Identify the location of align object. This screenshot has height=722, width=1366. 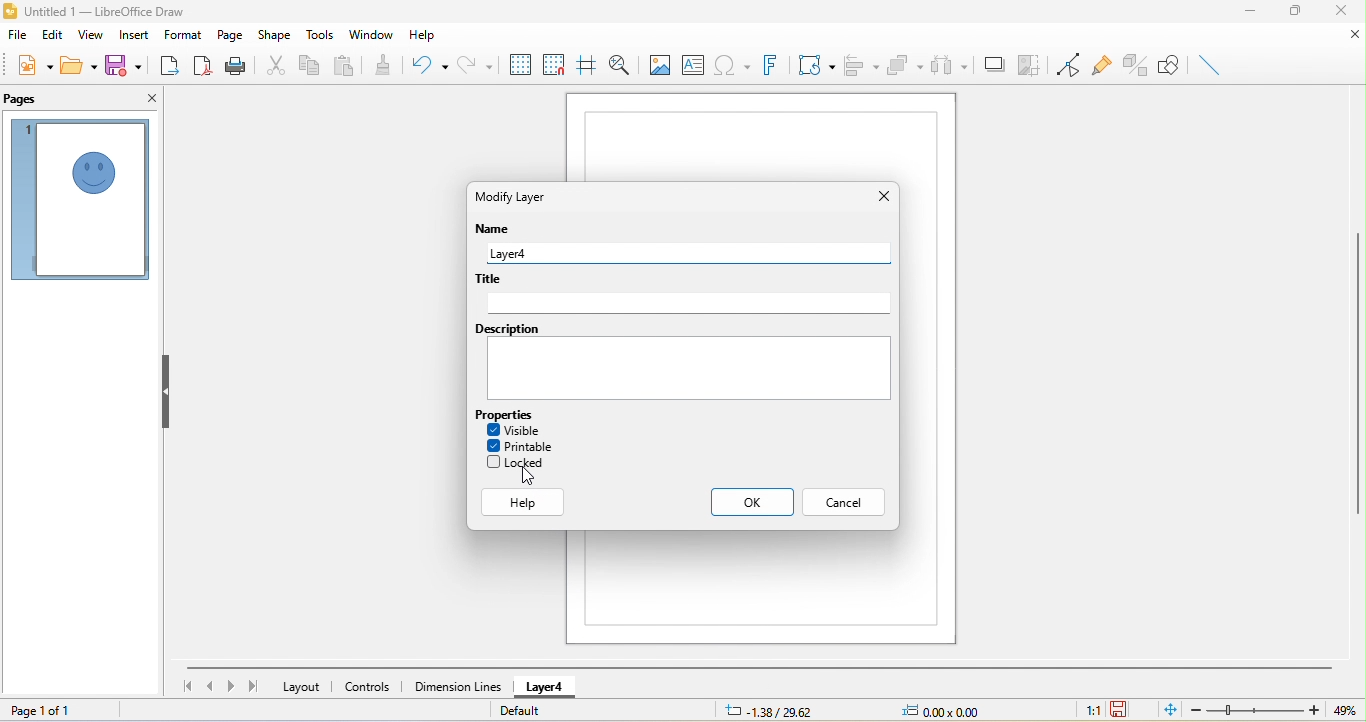
(861, 67).